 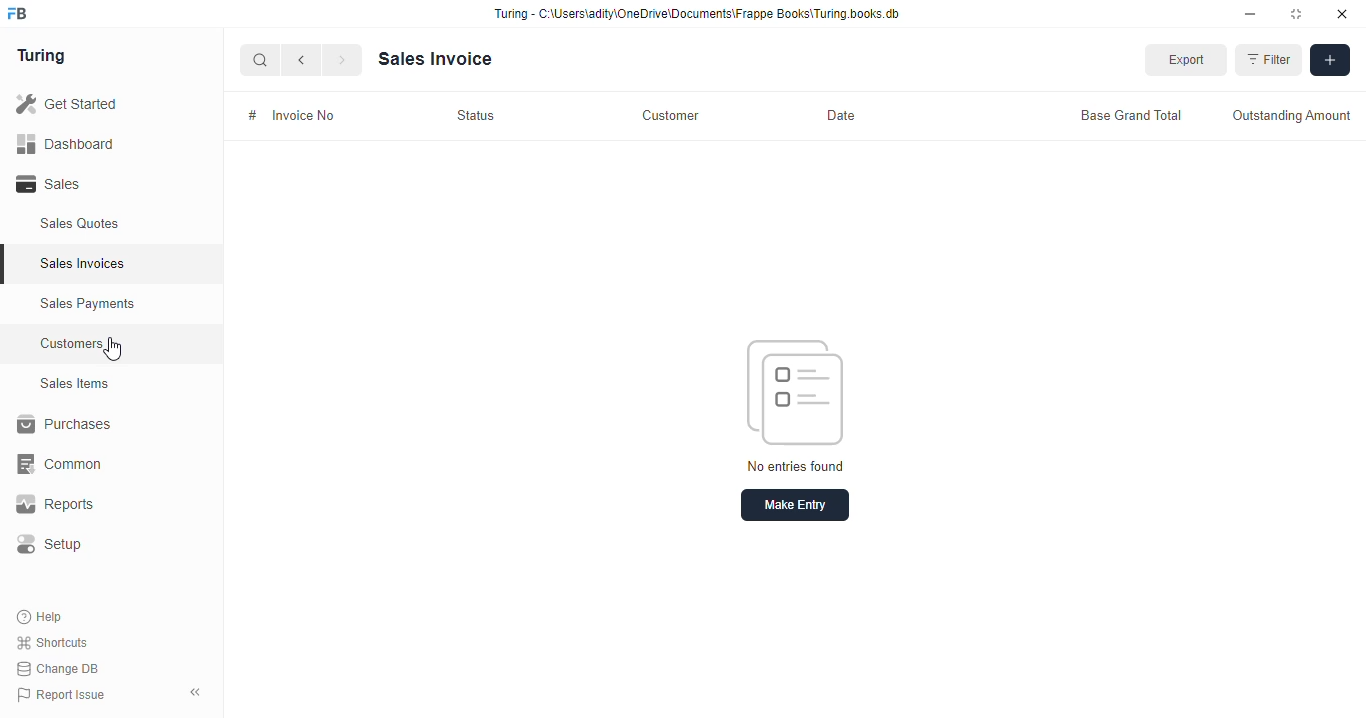 What do you see at coordinates (305, 61) in the screenshot?
I see `go back` at bounding box center [305, 61].